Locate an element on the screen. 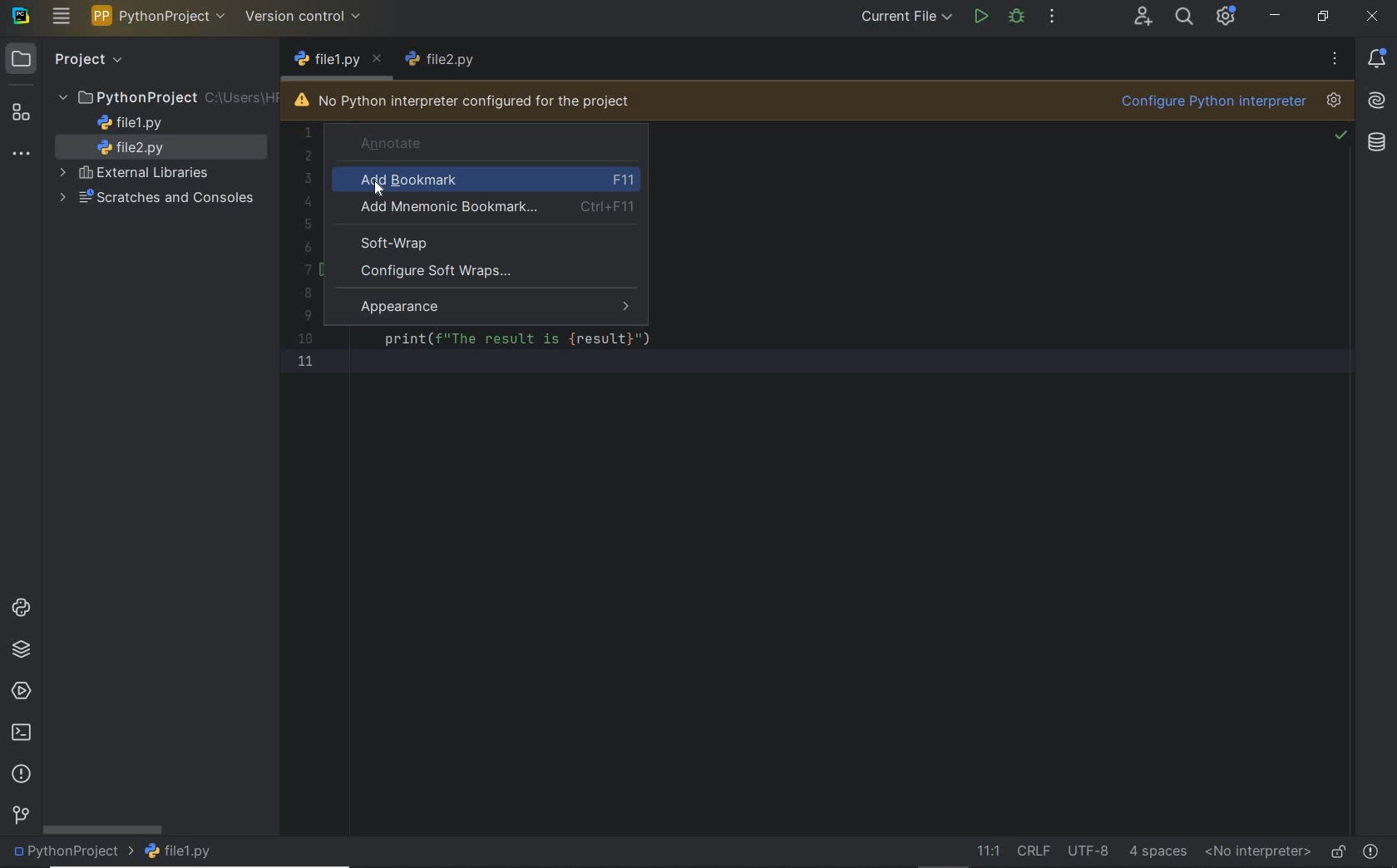  system name is located at coordinates (22, 16).